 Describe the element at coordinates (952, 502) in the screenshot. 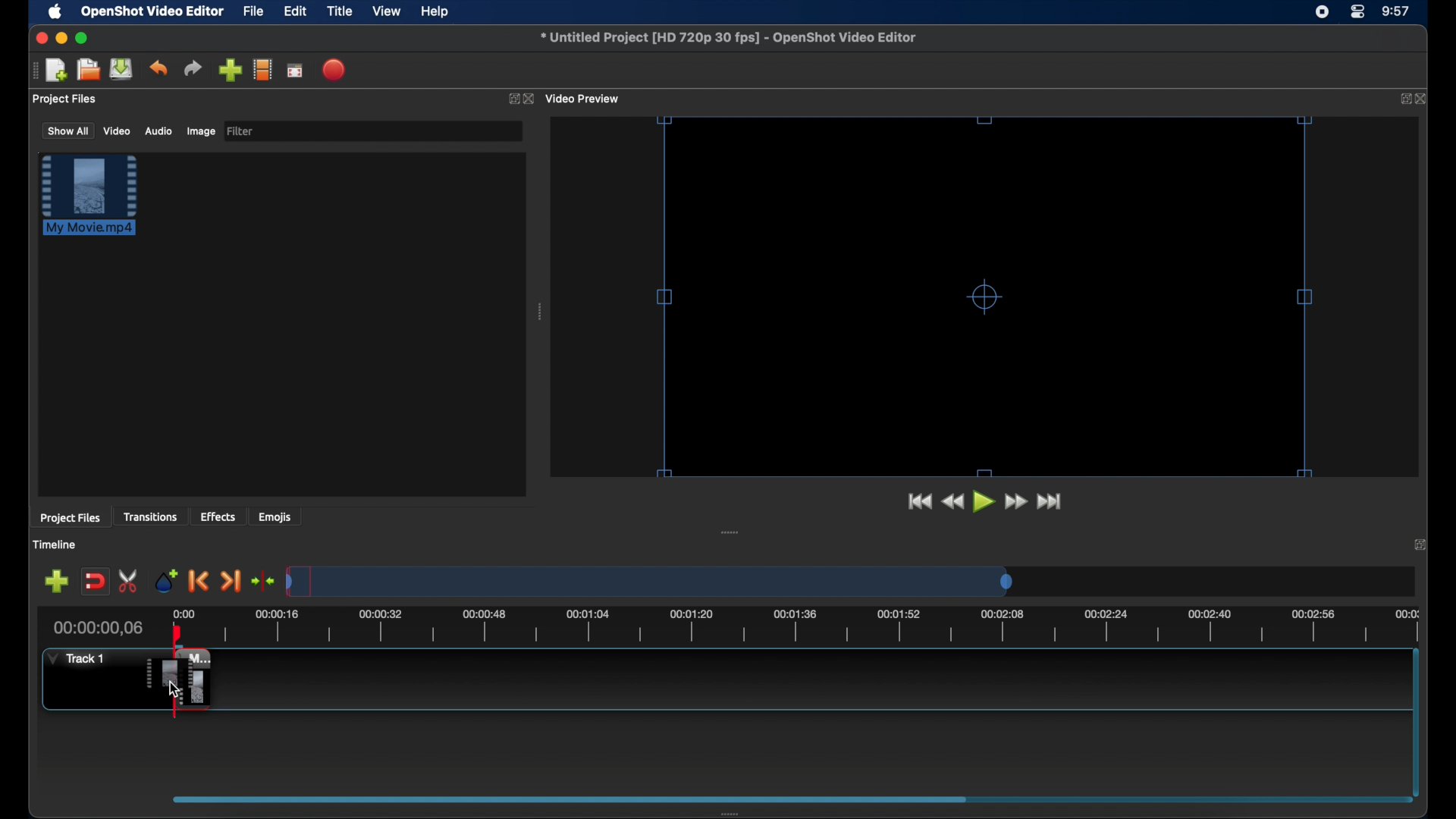

I see `rewind` at that location.